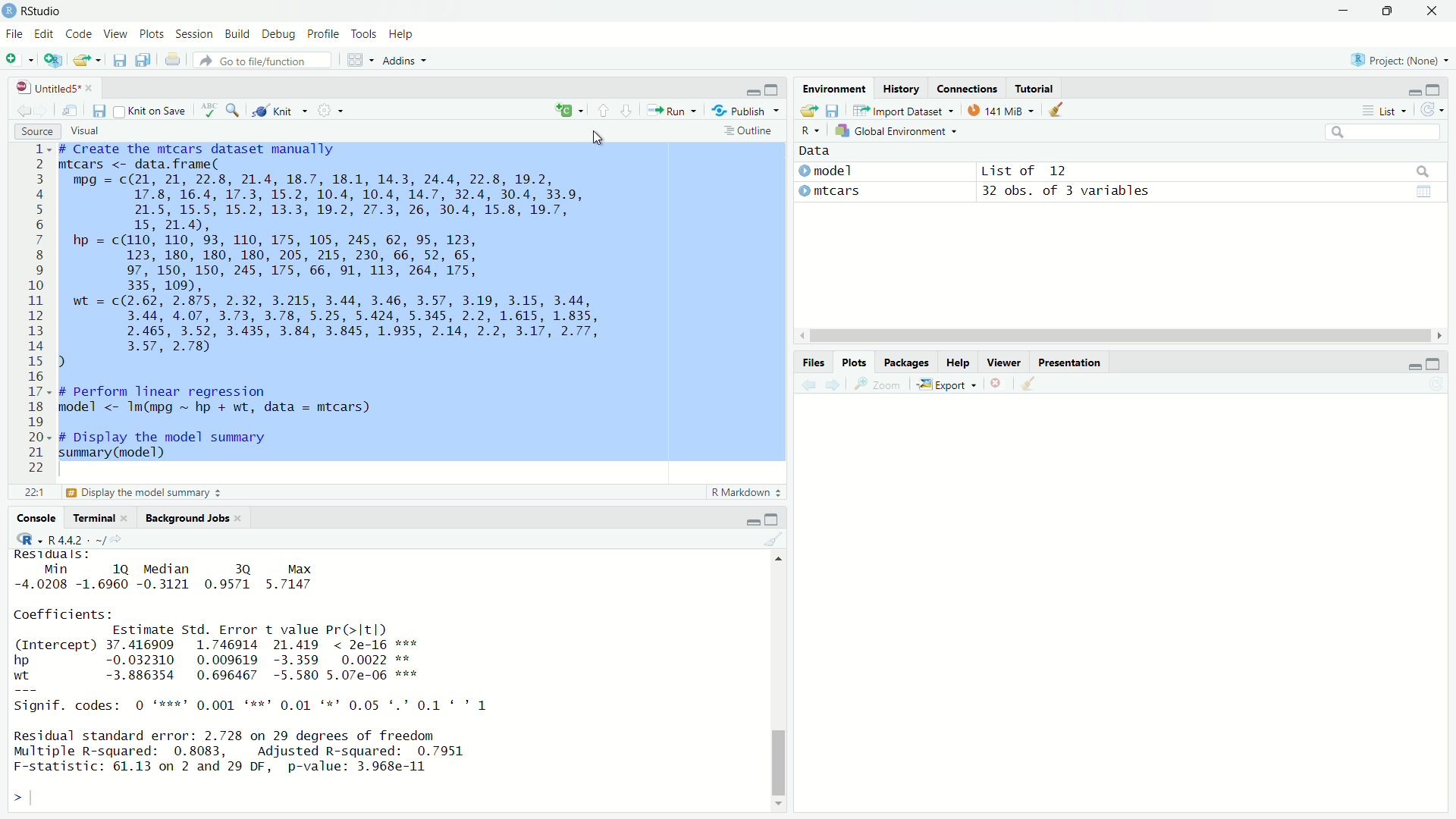 This screenshot has height=819, width=1456. What do you see at coordinates (947, 385) in the screenshot?
I see `export` at bounding box center [947, 385].